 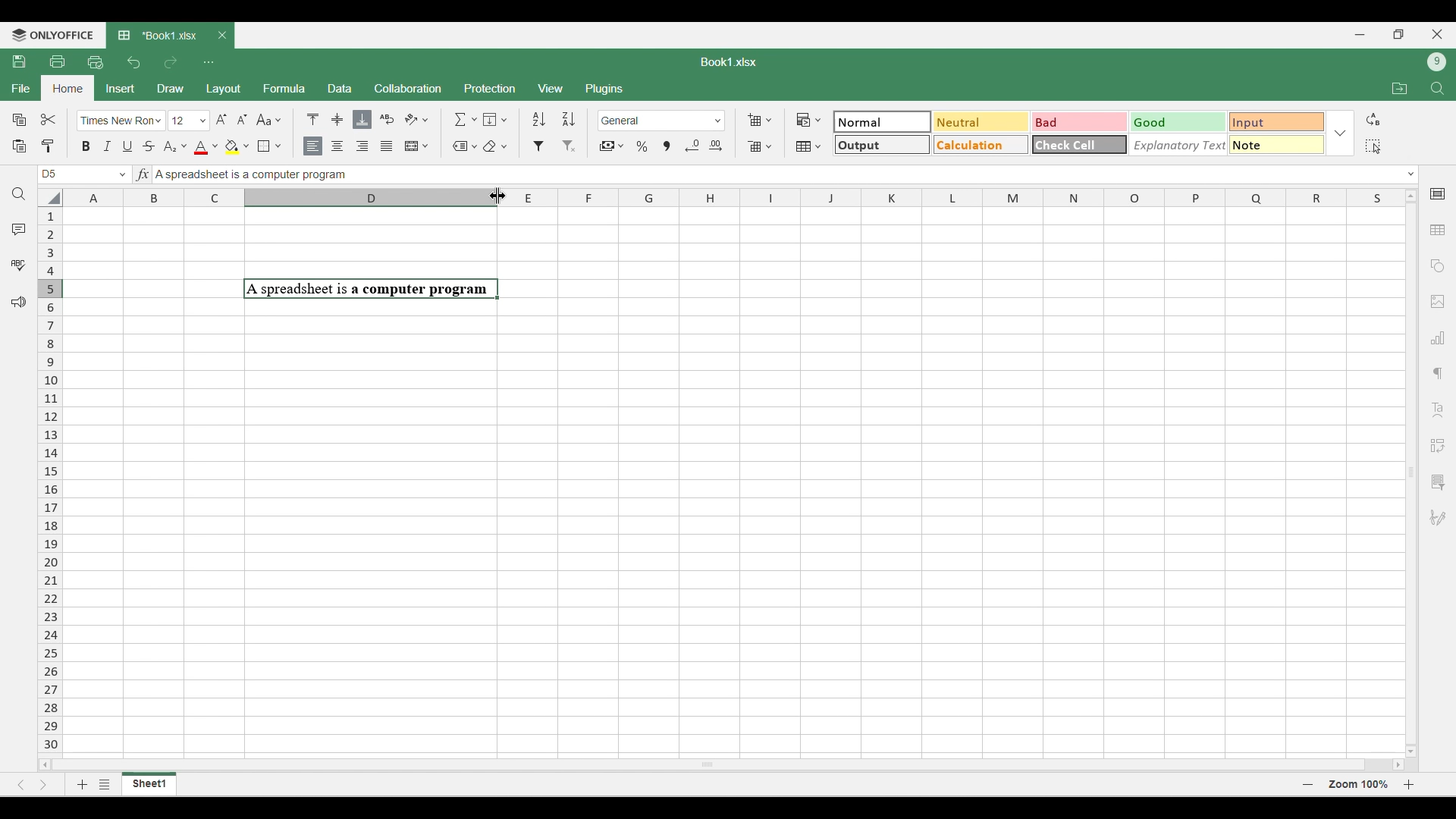 I want to click on Add sheets, so click(x=83, y=784).